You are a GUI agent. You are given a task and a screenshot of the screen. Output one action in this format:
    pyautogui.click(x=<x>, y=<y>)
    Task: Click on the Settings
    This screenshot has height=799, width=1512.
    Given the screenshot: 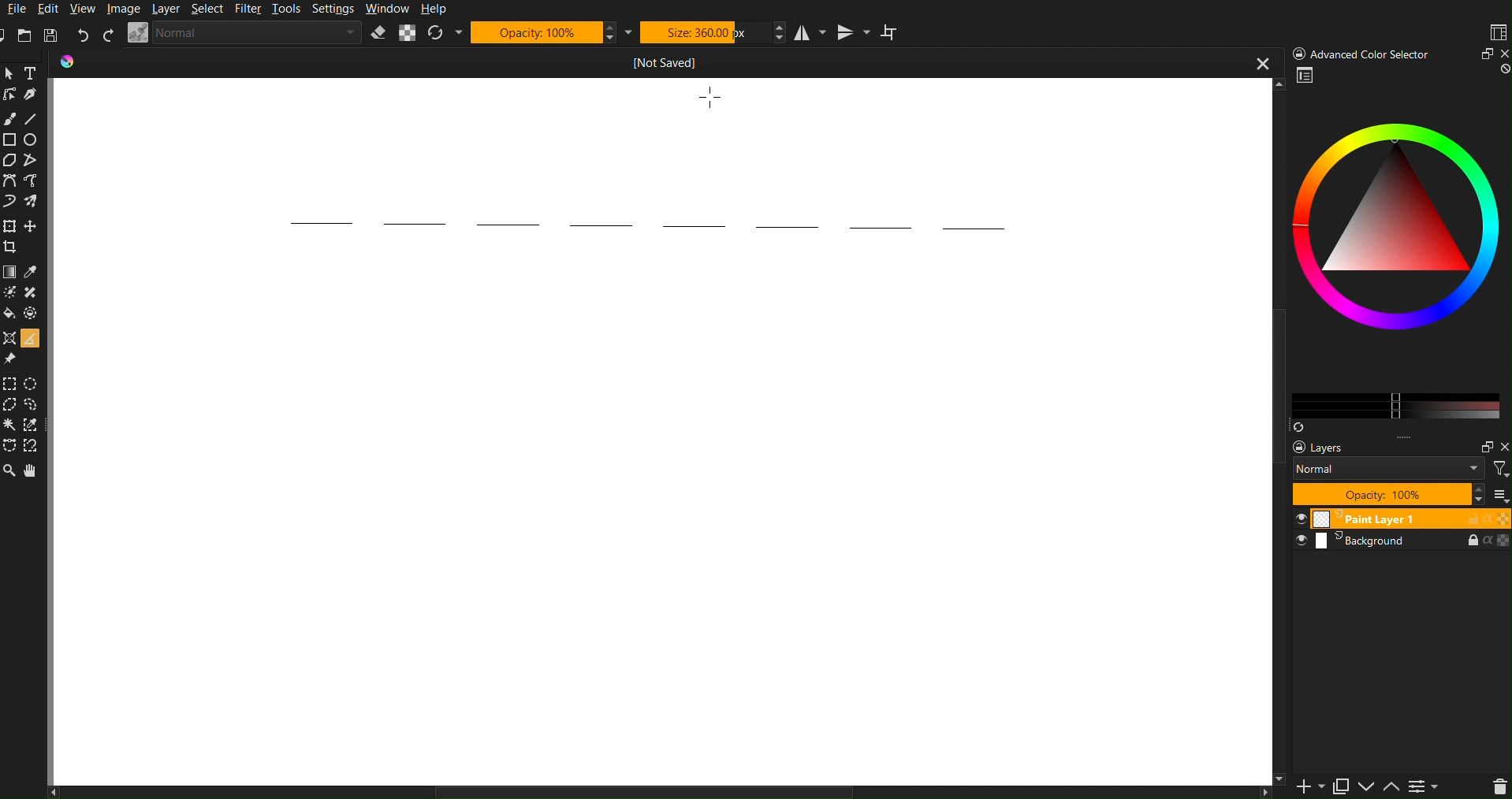 What is the action you would take?
    pyautogui.click(x=333, y=10)
    